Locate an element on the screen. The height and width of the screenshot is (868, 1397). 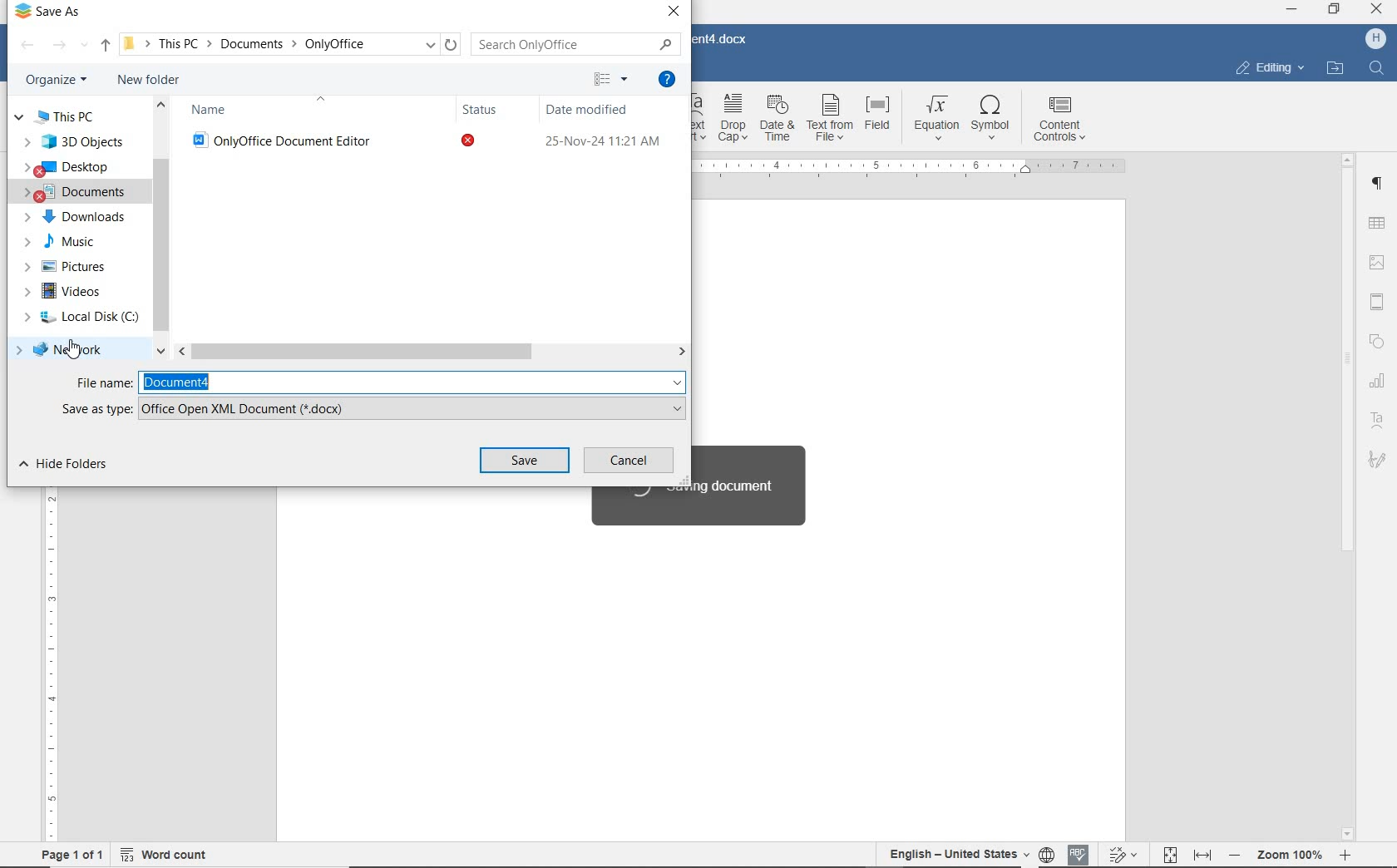
25-Nov-24 11:21 AM (date modified) is located at coordinates (605, 145).